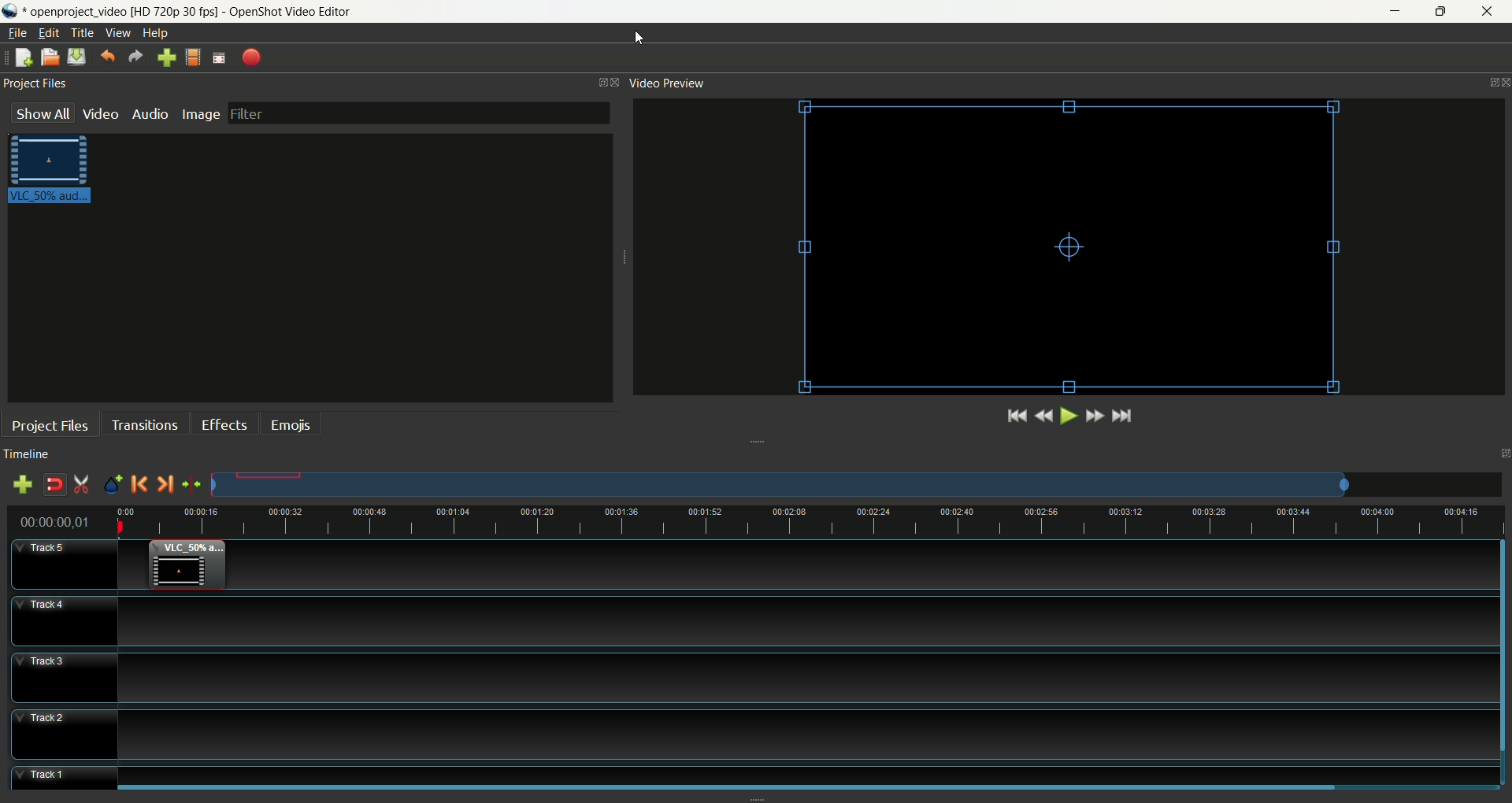 The height and width of the screenshot is (803, 1512). I want to click on jump to start, so click(1015, 417).